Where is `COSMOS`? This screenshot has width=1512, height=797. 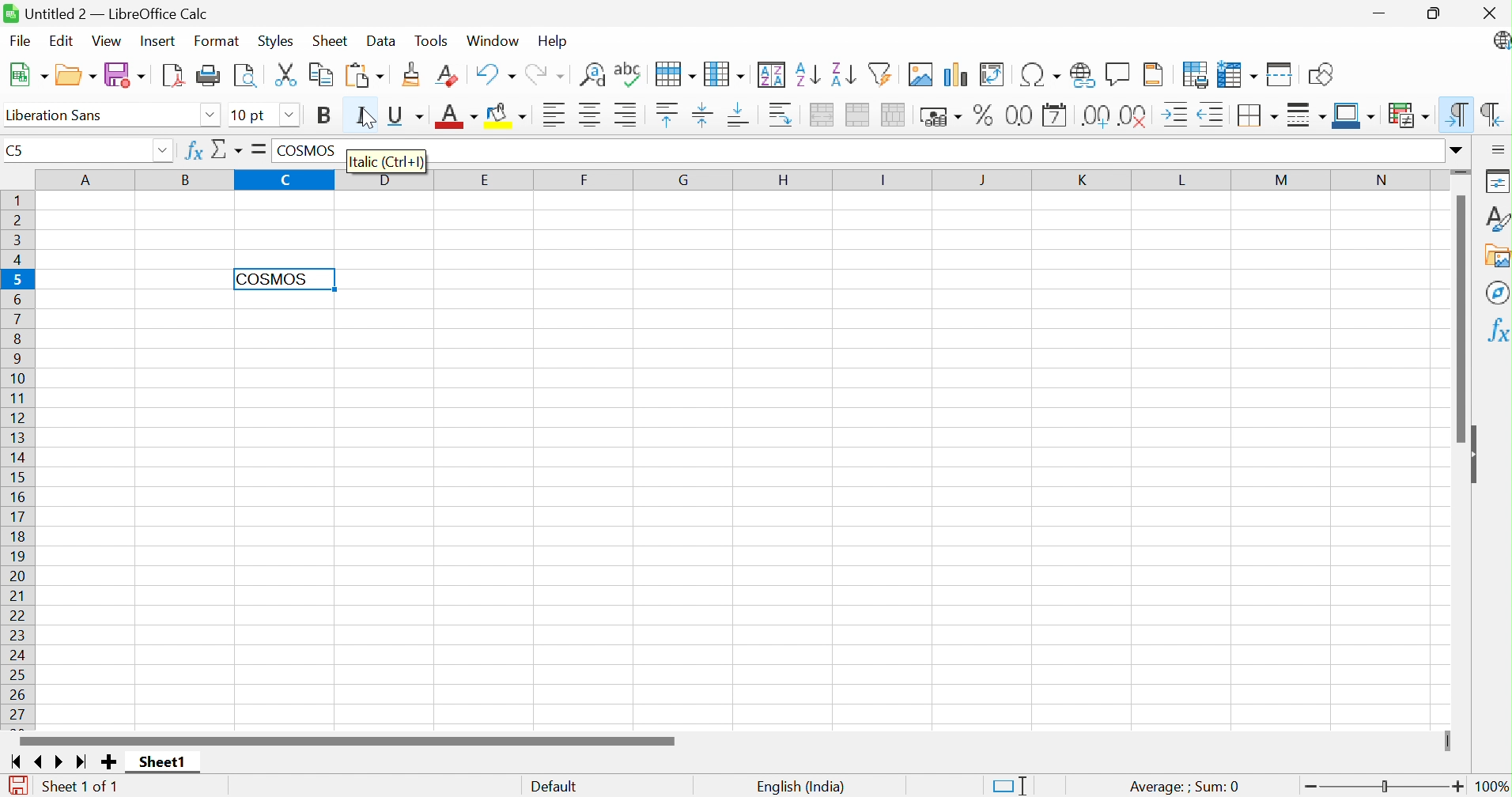 COSMOS is located at coordinates (272, 279).